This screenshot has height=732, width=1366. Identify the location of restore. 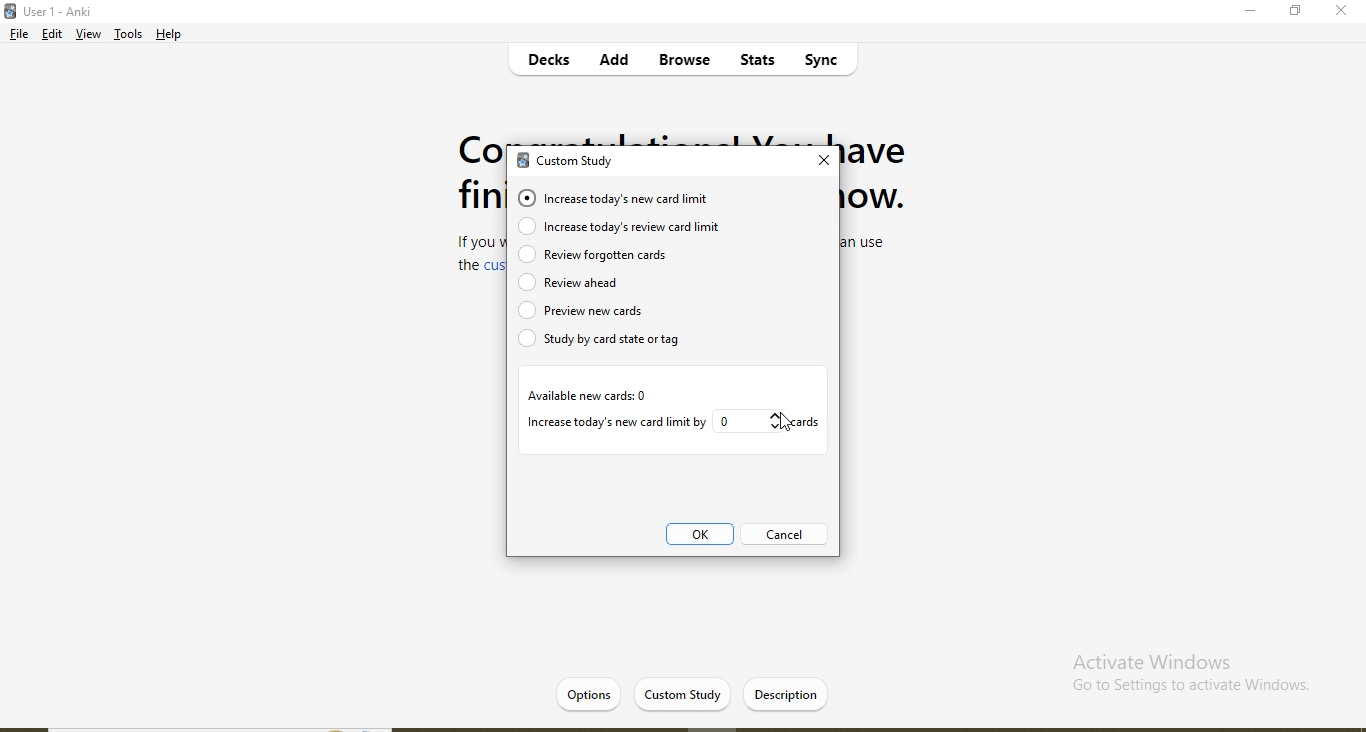
(1295, 13).